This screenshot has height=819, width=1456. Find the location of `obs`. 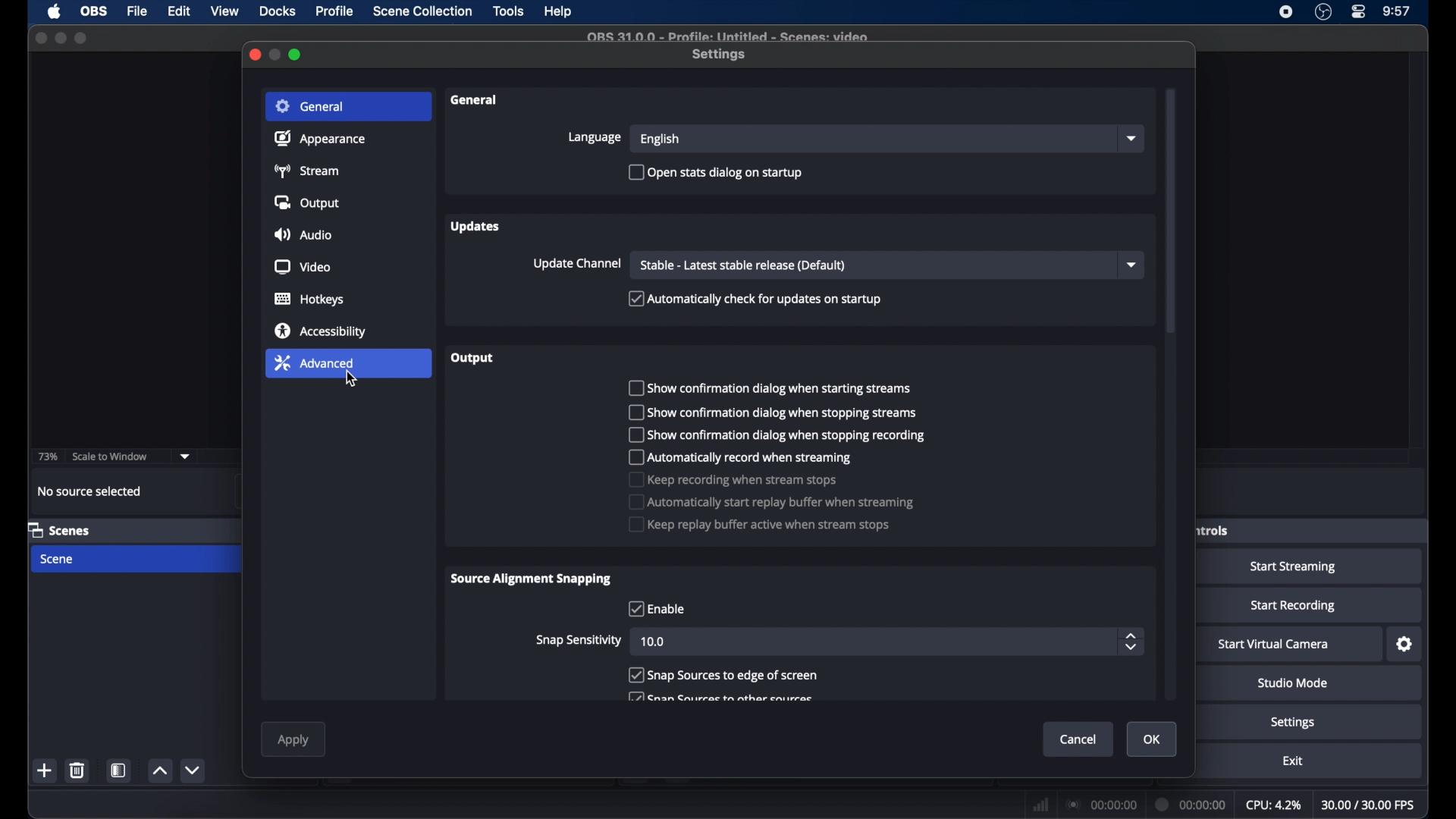

obs is located at coordinates (93, 11).